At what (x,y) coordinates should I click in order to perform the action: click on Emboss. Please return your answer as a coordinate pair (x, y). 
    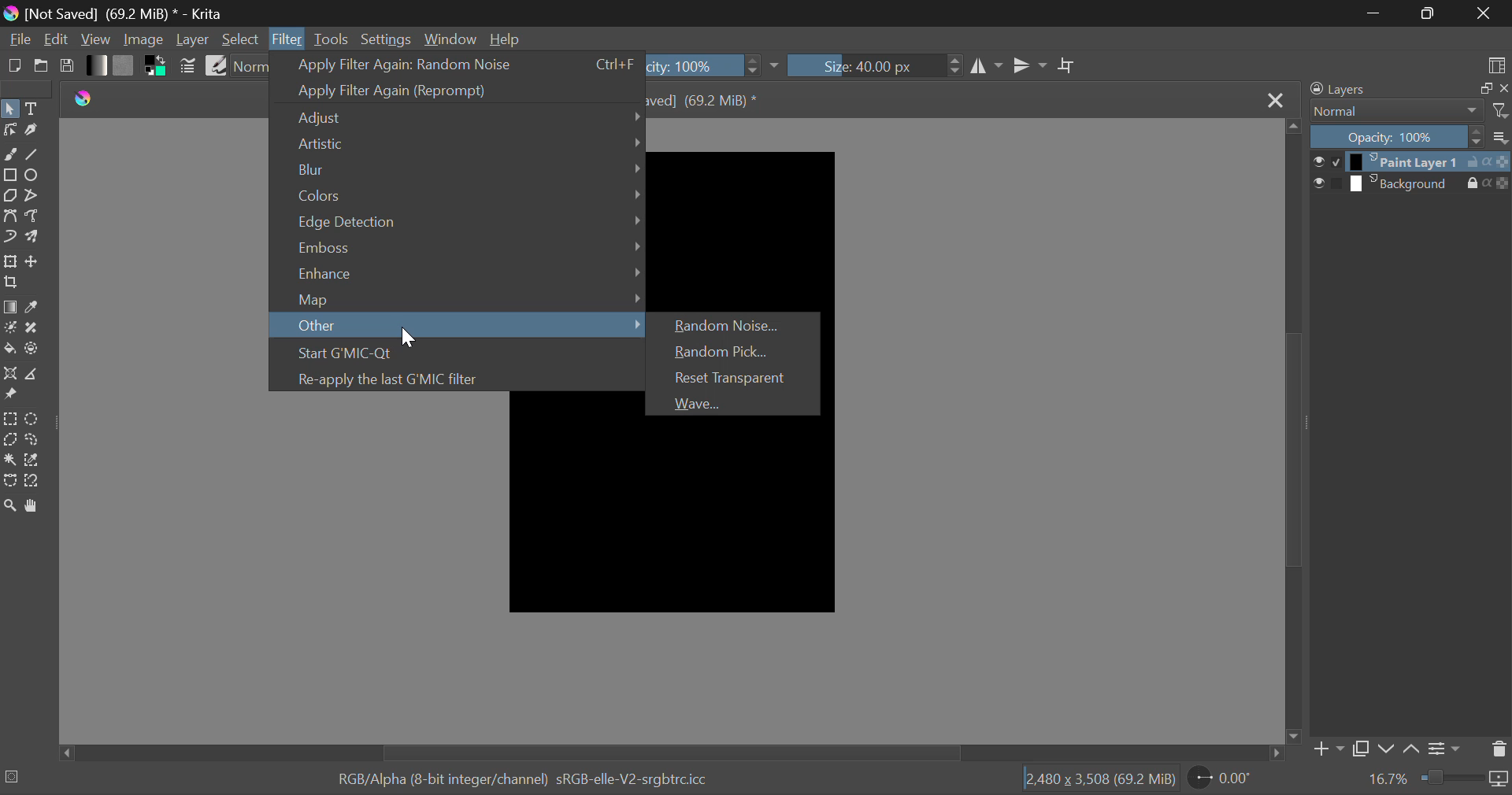
    Looking at the image, I should click on (458, 247).